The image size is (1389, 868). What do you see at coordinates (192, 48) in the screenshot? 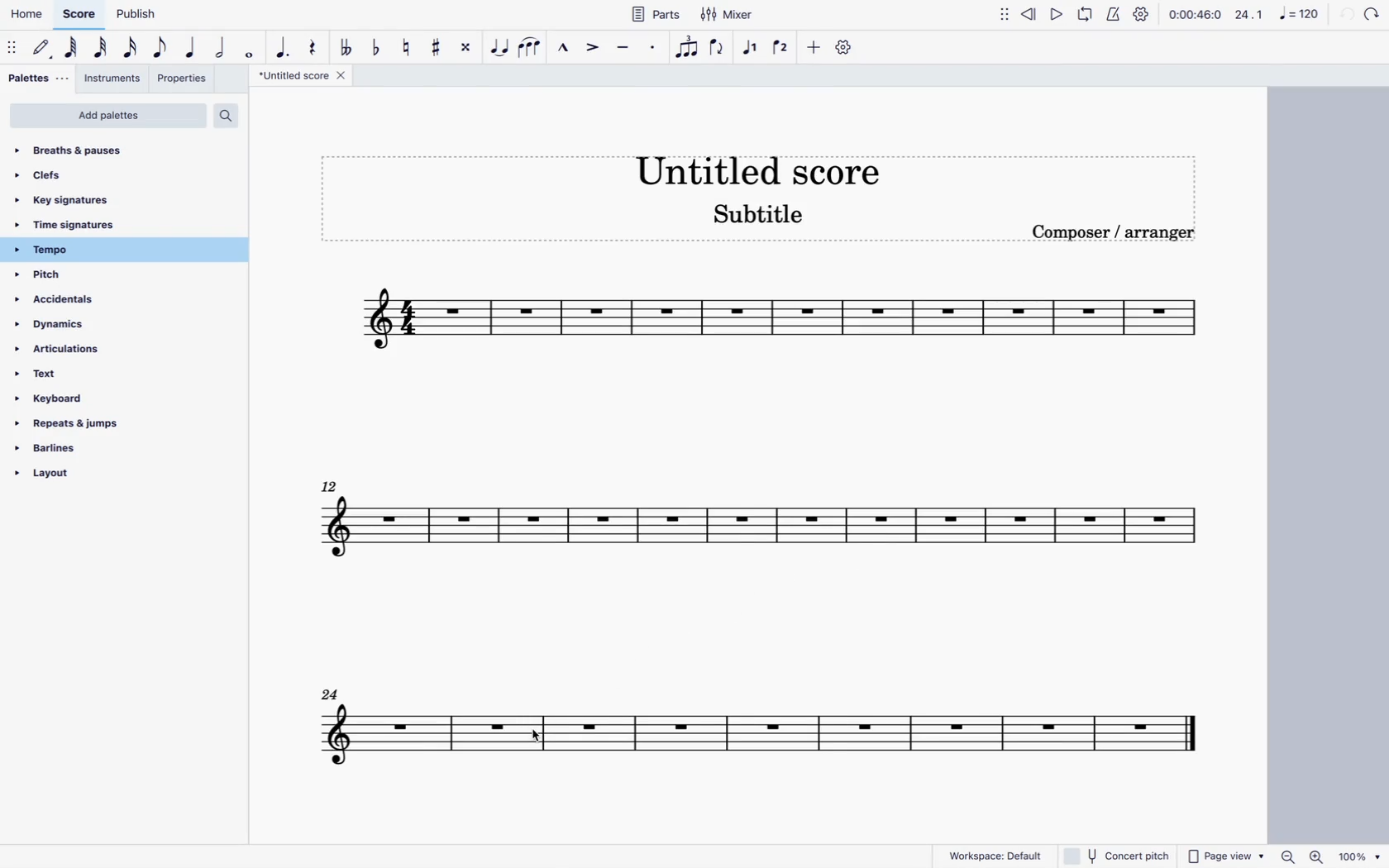
I see `quarter note` at bounding box center [192, 48].